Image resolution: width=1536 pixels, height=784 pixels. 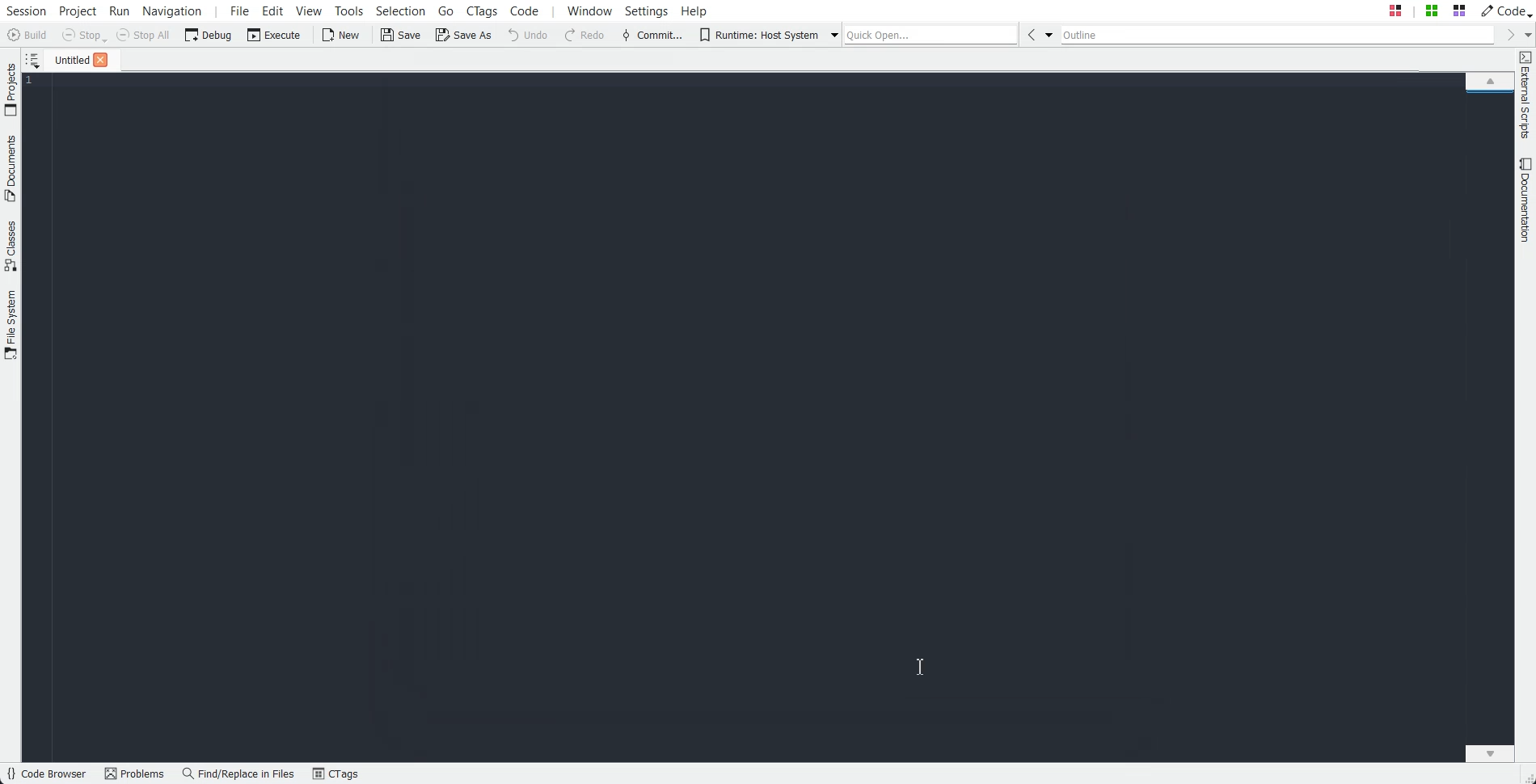 What do you see at coordinates (1525, 95) in the screenshot?
I see `External Scripts` at bounding box center [1525, 95].